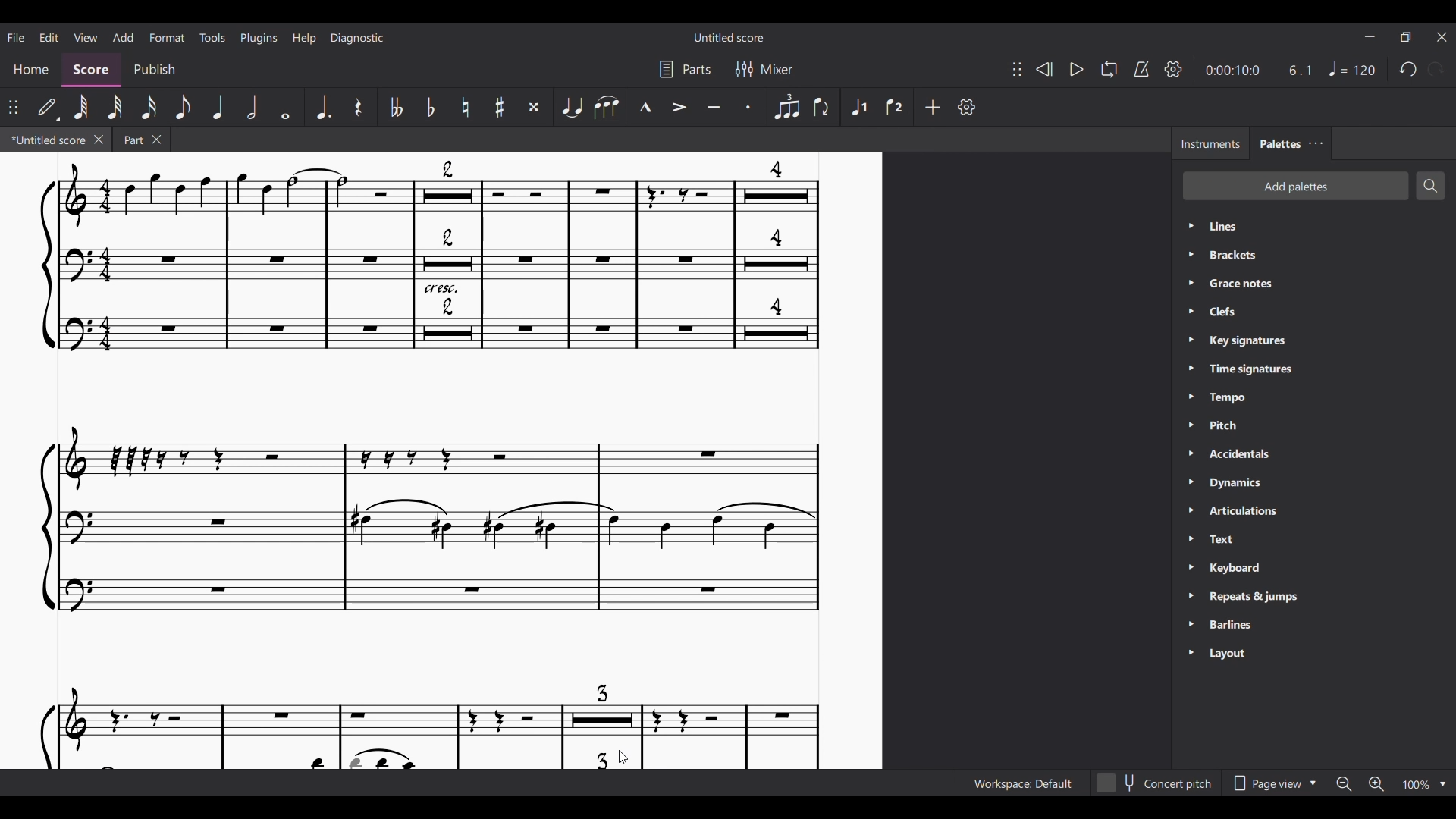  What do you see at coordinates (91, 71) in the screenshot?
I see `Score, current section highlighted` at bounding box center [91, 71].